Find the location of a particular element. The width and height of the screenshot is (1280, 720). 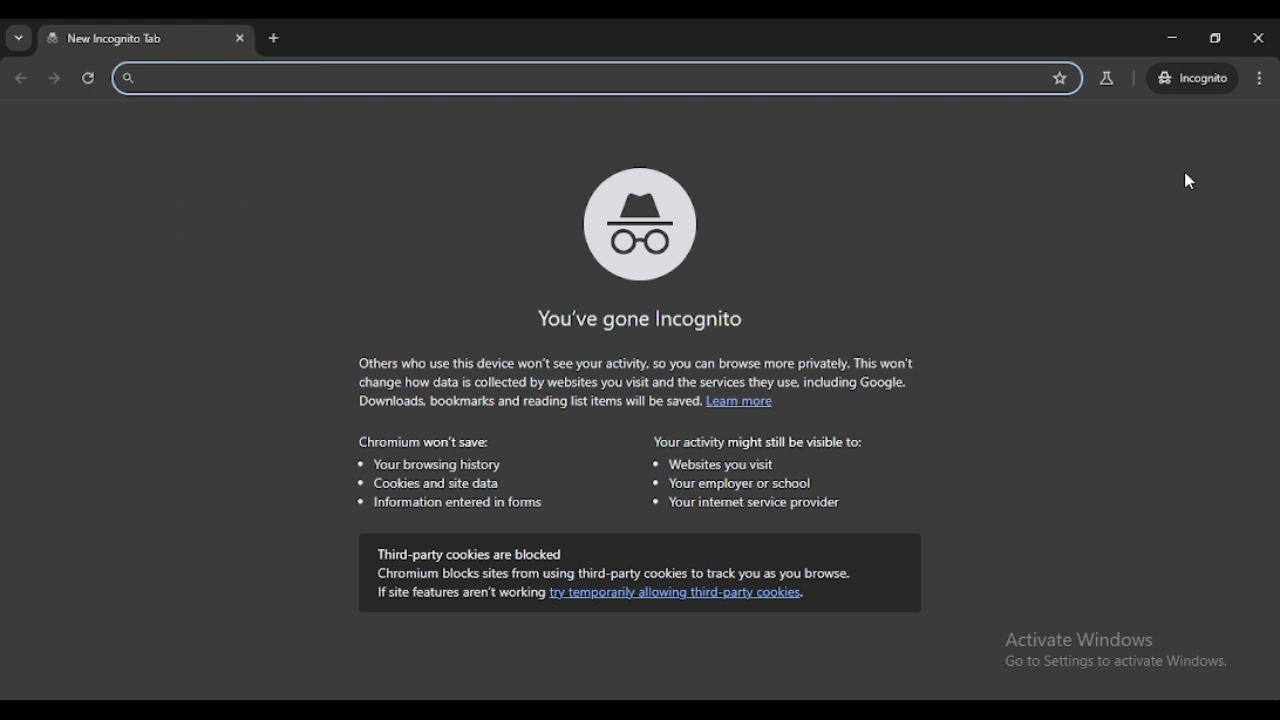

your activity might still be visible to: websites you visit, your employer or school, your internet service provider is located at coordinates (757, 473).